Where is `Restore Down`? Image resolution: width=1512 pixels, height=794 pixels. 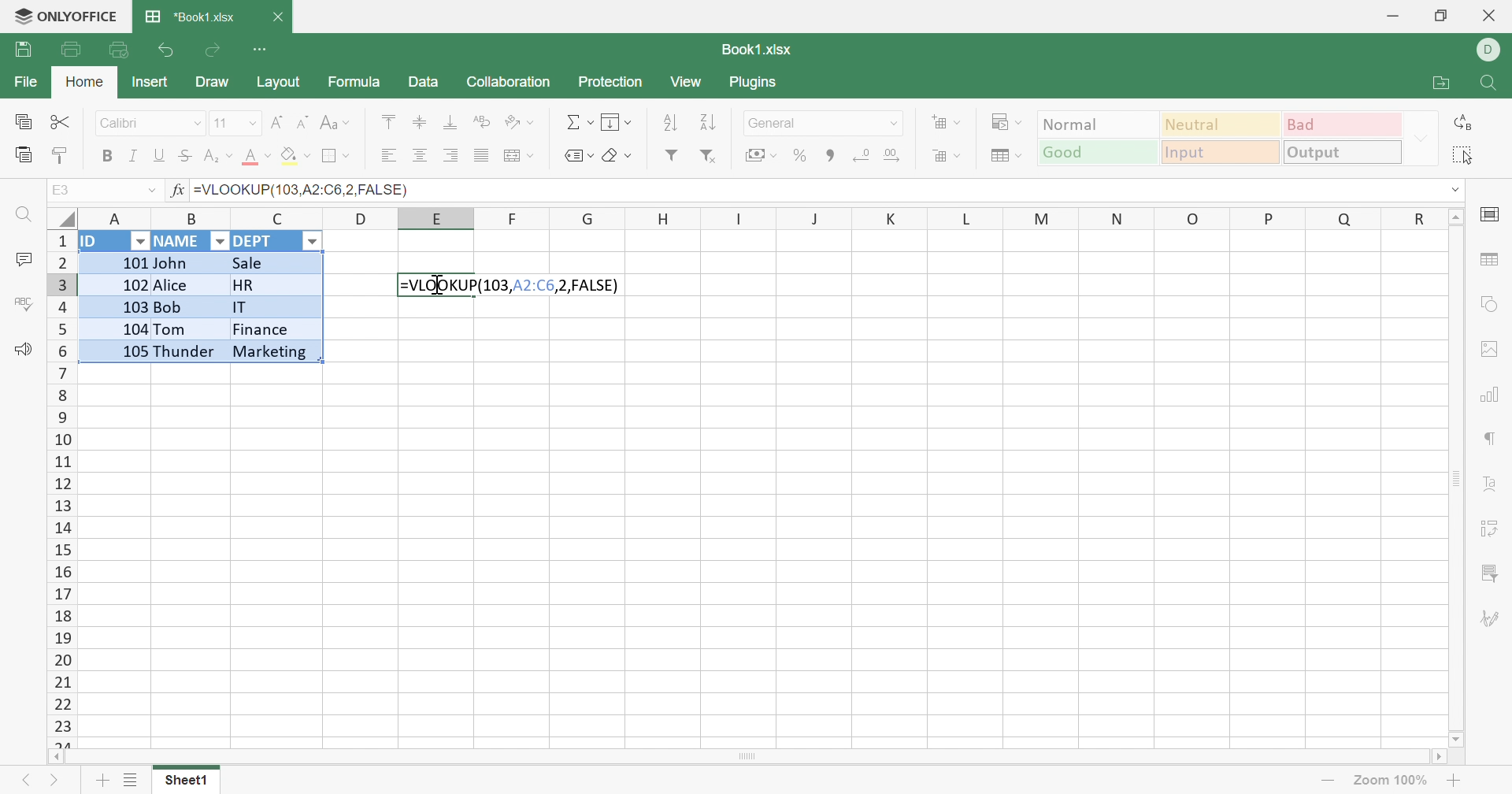
Restore Down is located at coordinates (1440, 17).